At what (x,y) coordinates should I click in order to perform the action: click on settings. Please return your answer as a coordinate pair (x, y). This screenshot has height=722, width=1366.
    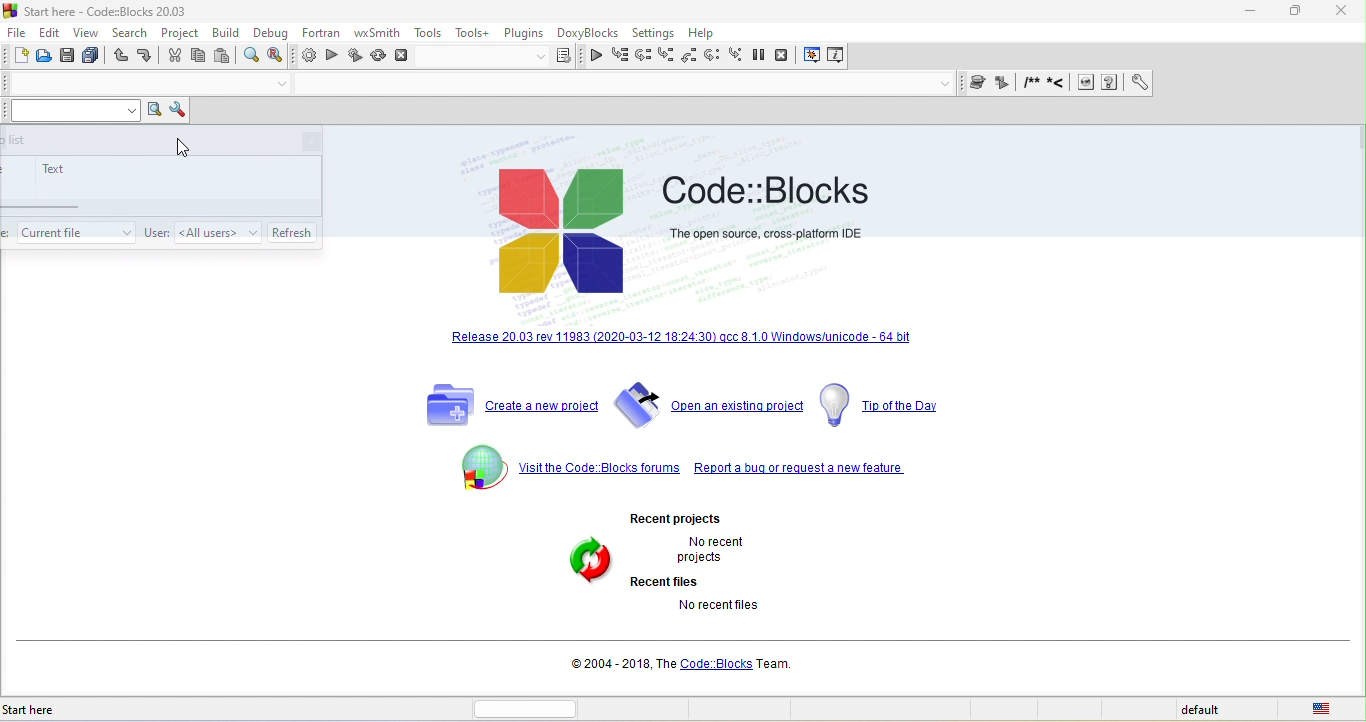
    Looking at the image, I should click on (653, 34).